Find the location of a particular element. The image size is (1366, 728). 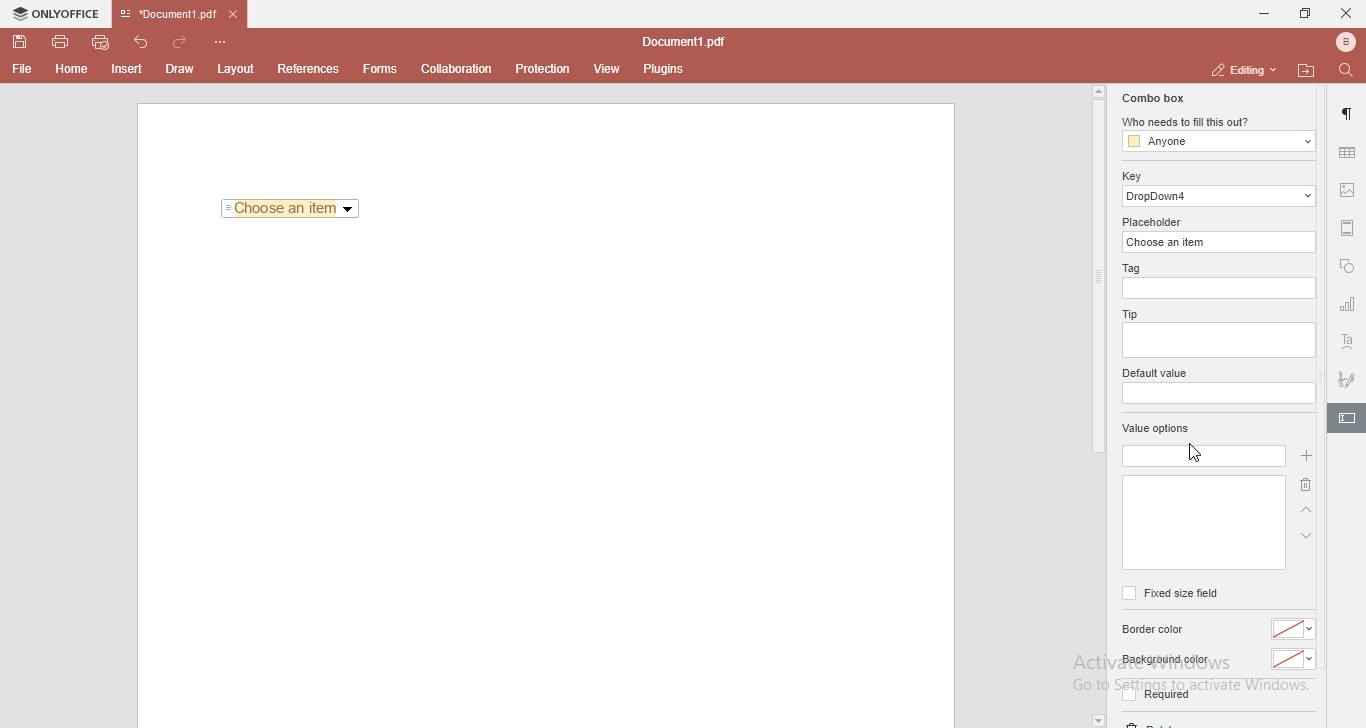

choose an item is located at coordinates (1221, 241).